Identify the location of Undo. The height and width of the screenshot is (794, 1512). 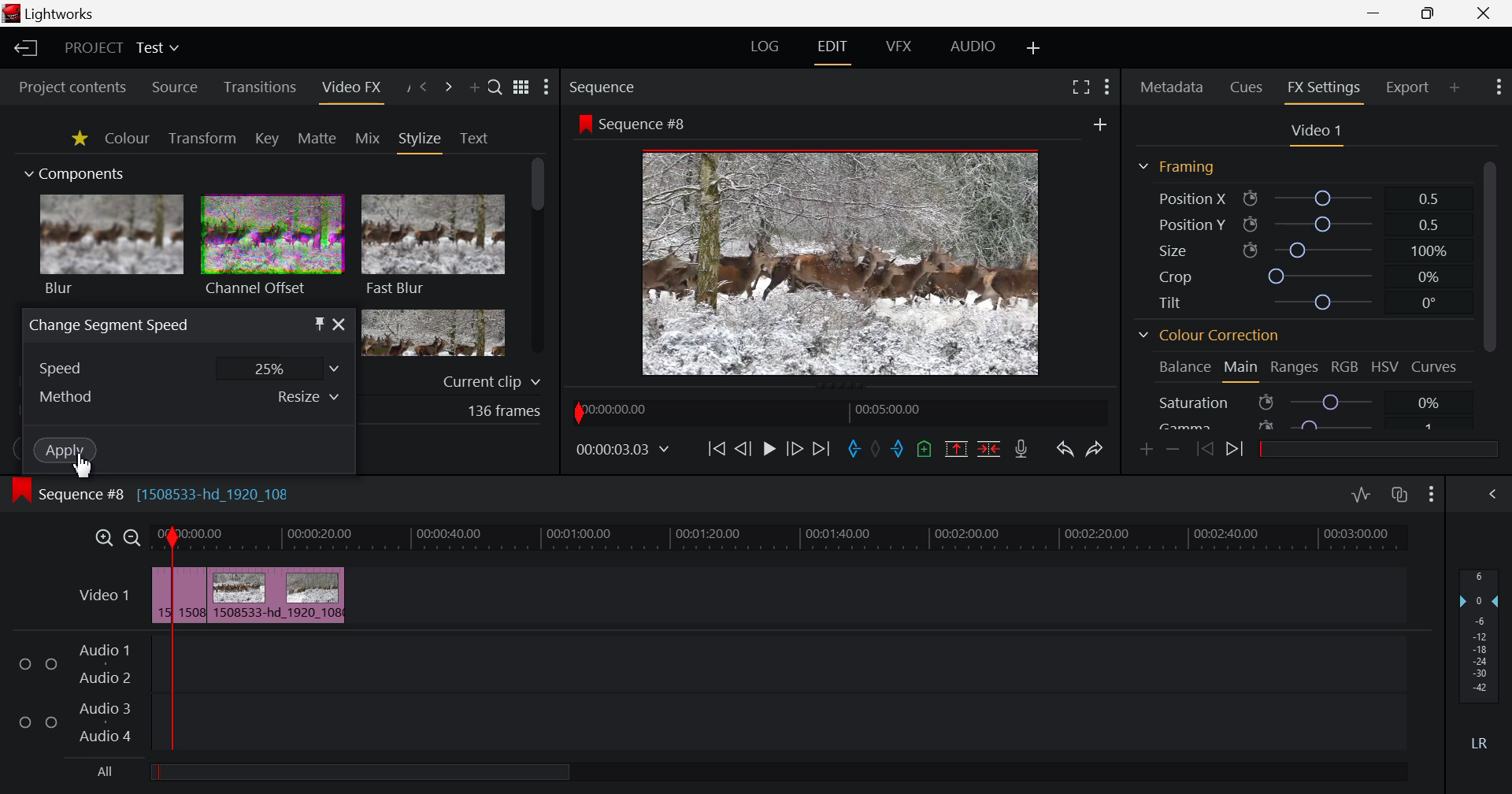
(1065, 451).